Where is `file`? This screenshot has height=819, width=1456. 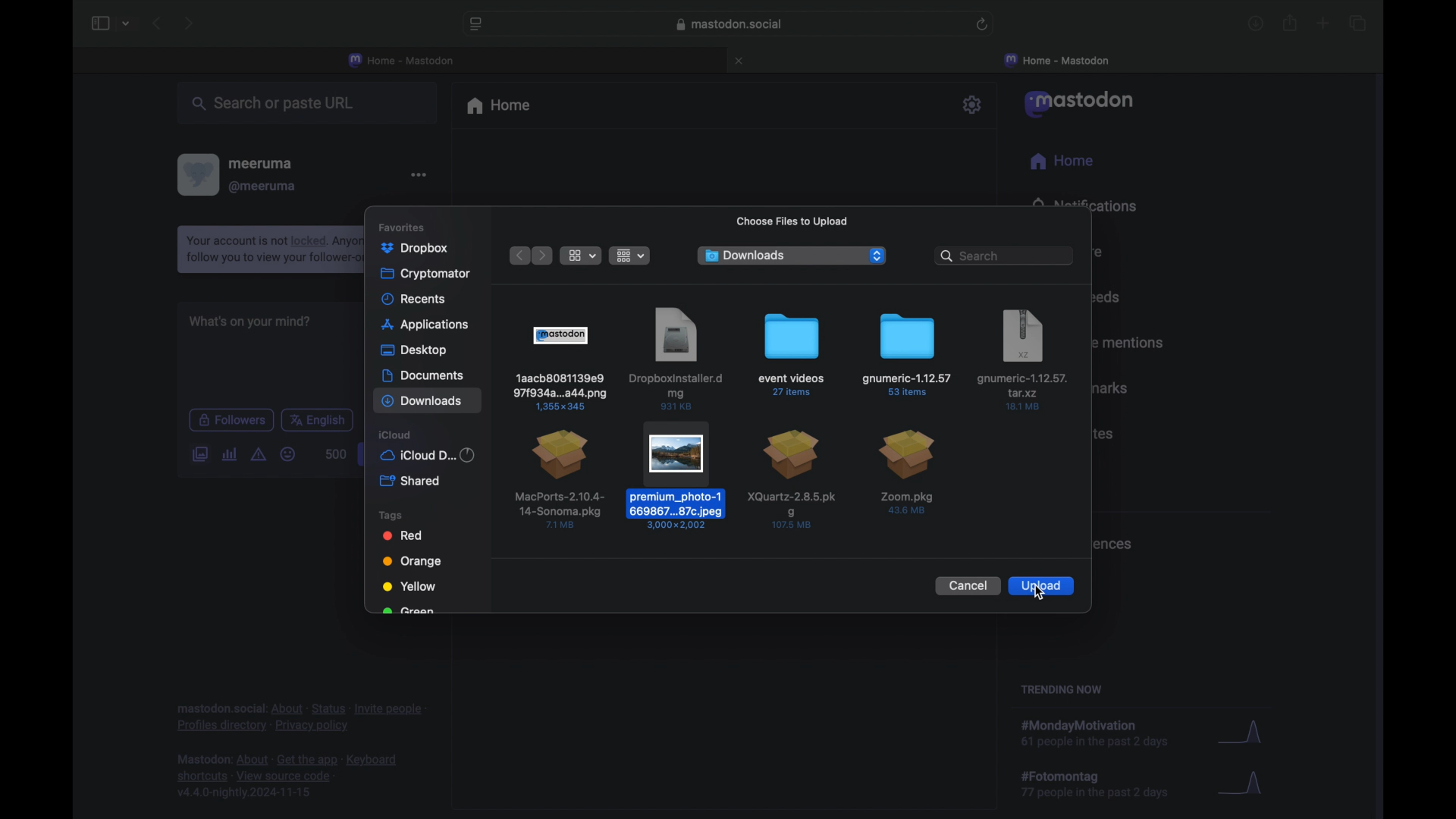 file is located at coordinates (793, 481).